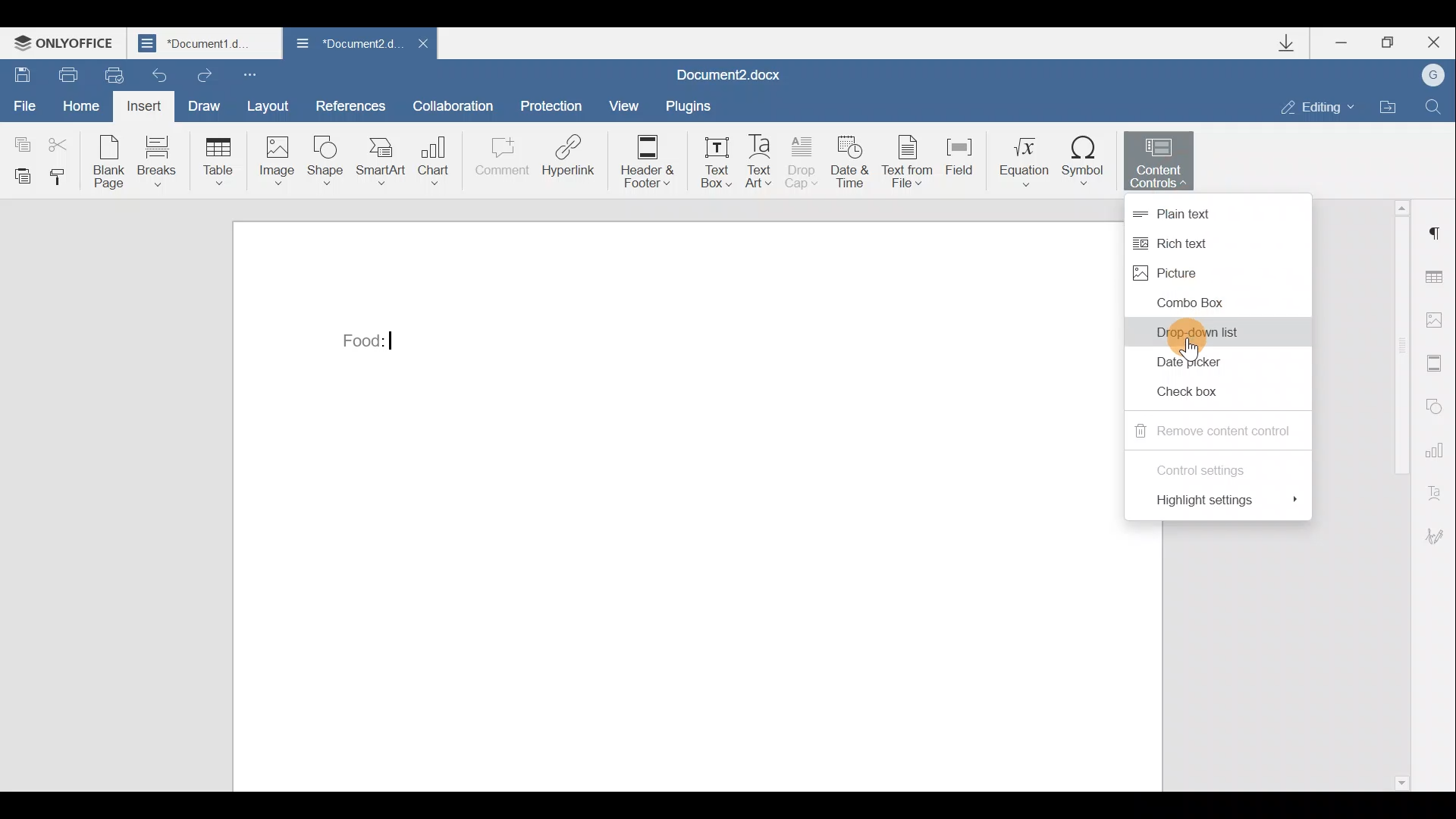  I want to click on Highlight settings, so click(1219, 500).